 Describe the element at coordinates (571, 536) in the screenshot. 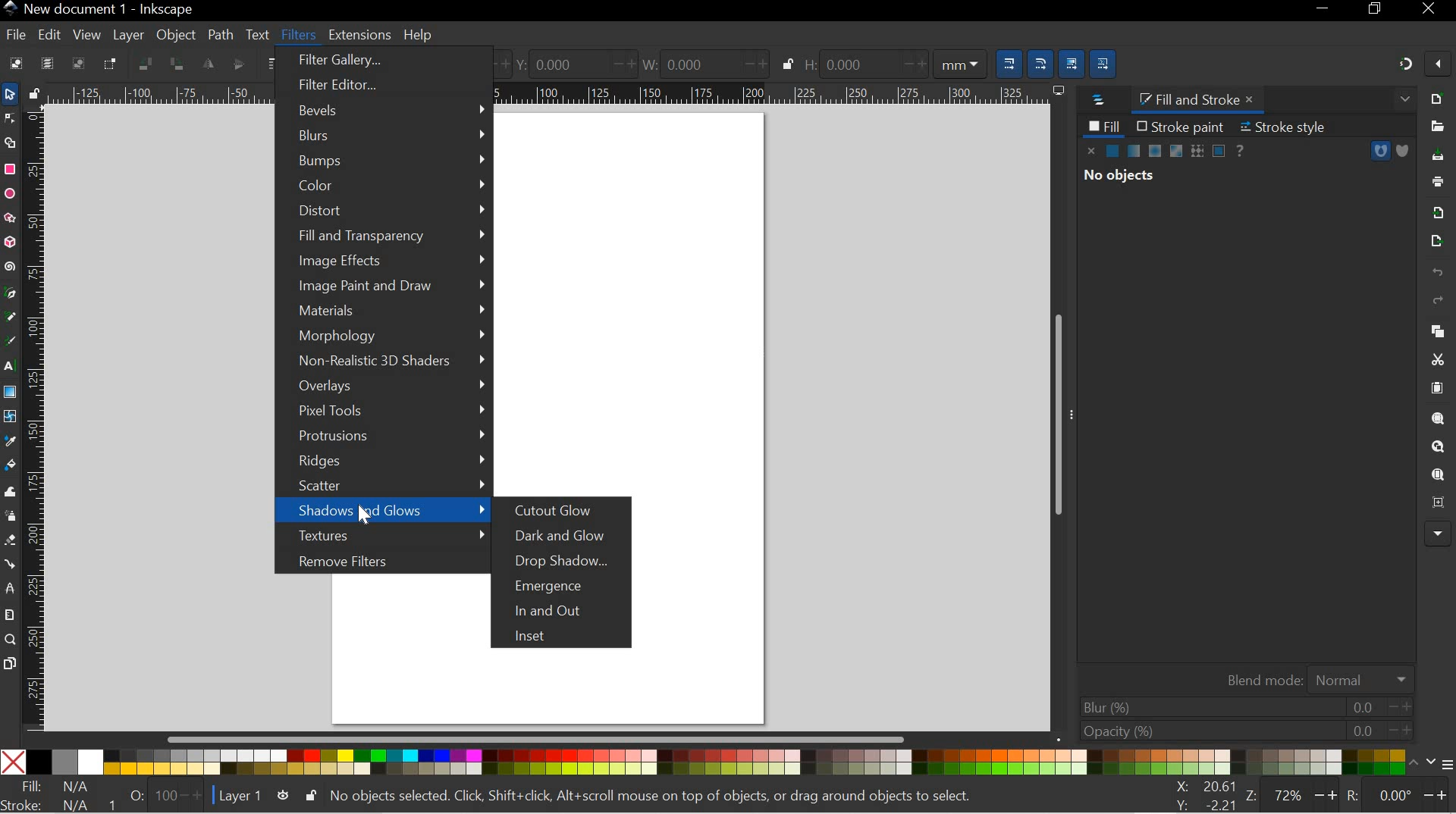

I see `DARK AND GLOW` at that location.